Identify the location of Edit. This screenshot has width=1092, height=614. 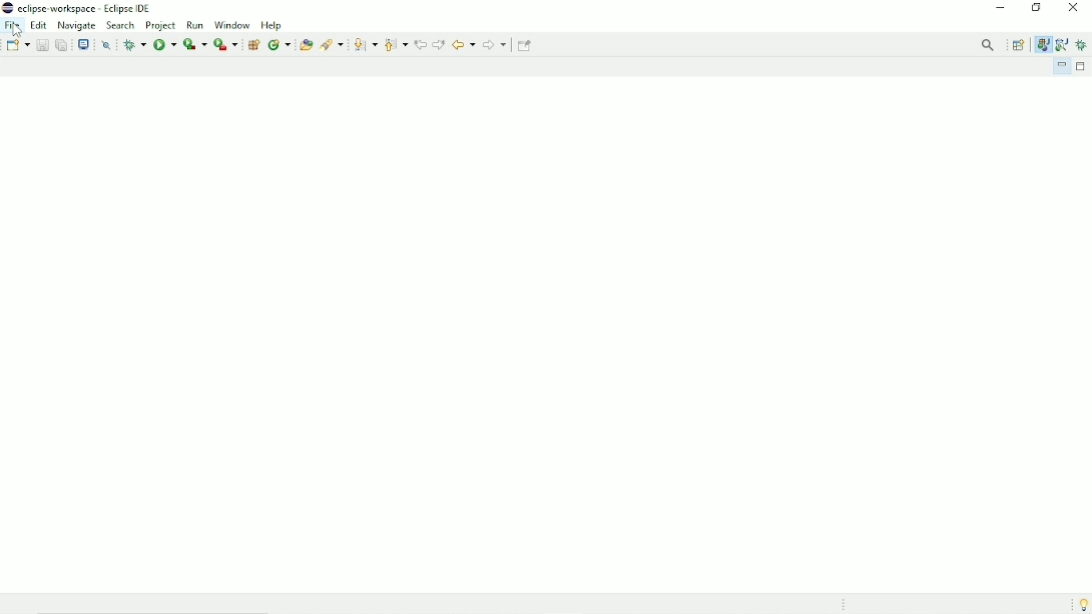
(39, 25).